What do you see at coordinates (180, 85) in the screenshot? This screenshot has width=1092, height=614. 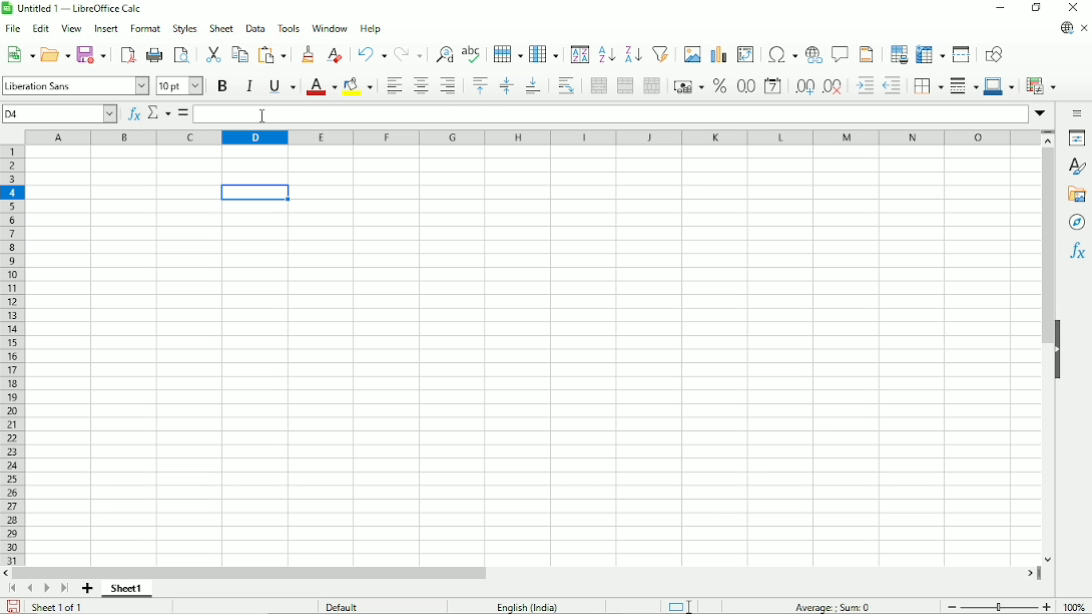 I see `Font color` at bounding box center [180, 85].